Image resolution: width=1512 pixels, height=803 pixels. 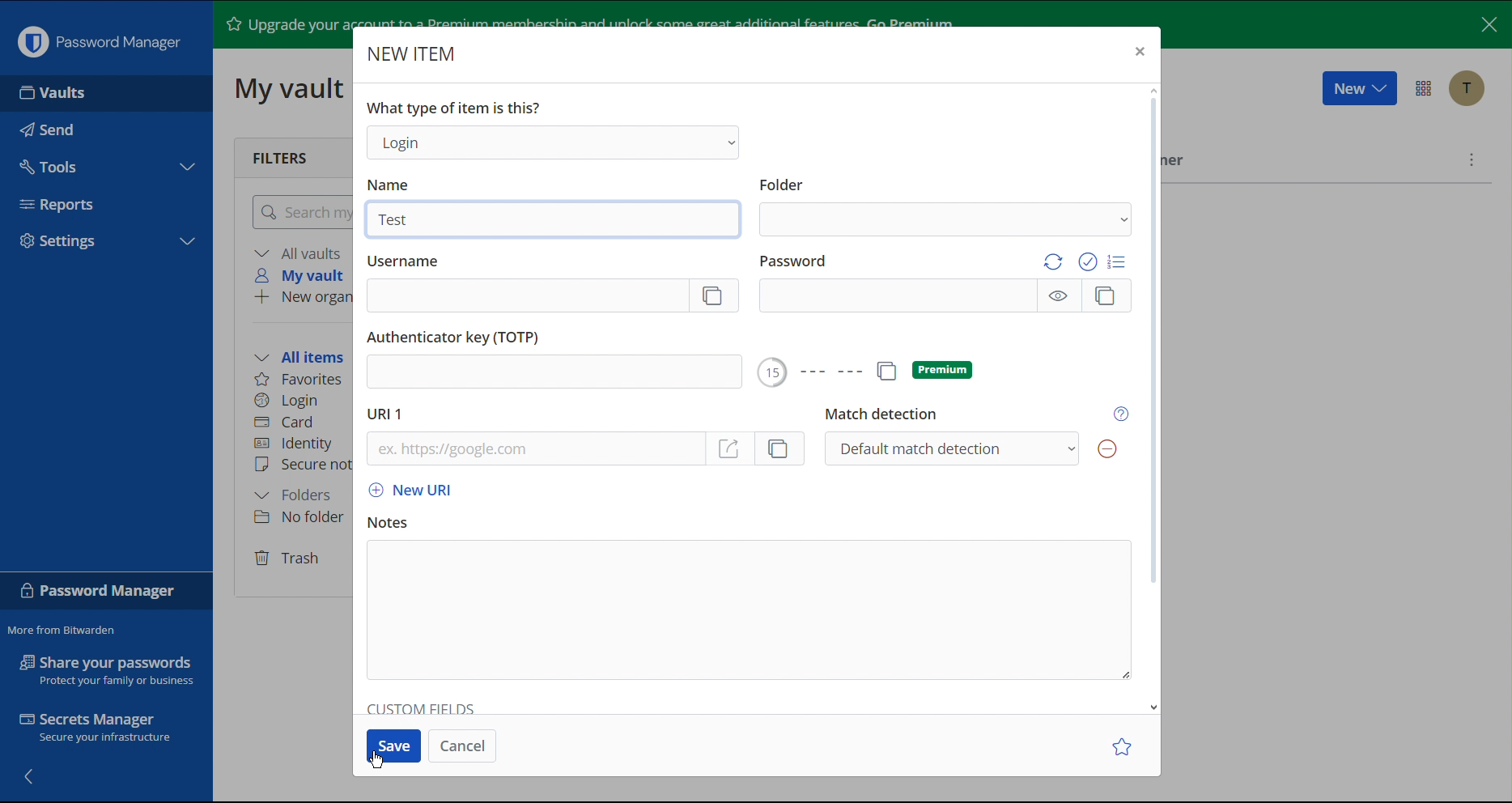 I want to click on Cancel, so click(x=464, y=745).